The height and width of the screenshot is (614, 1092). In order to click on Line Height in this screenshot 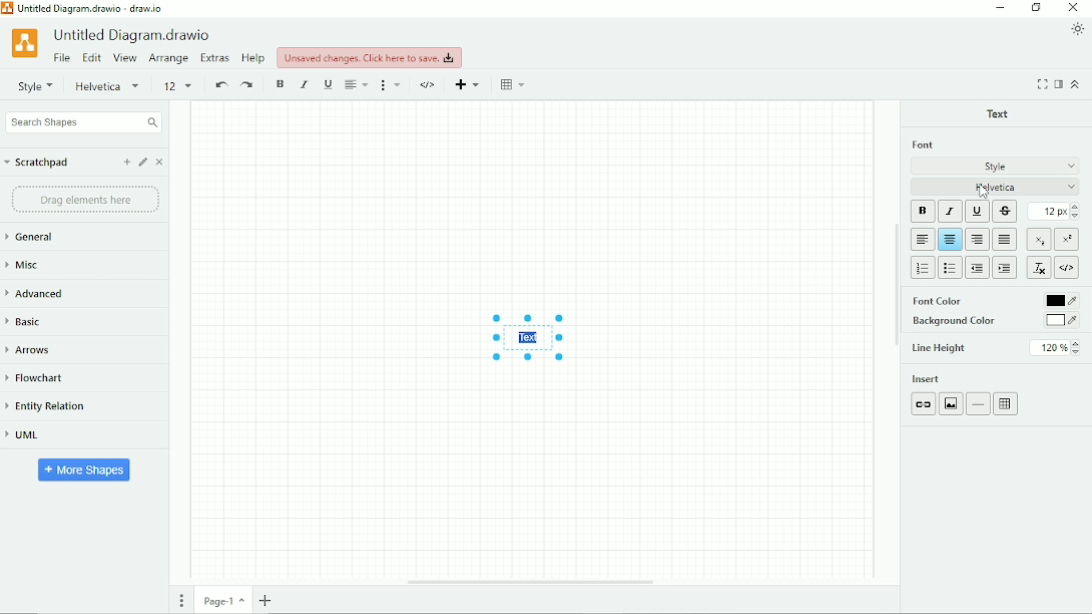, I will do `click(999, 348)`.